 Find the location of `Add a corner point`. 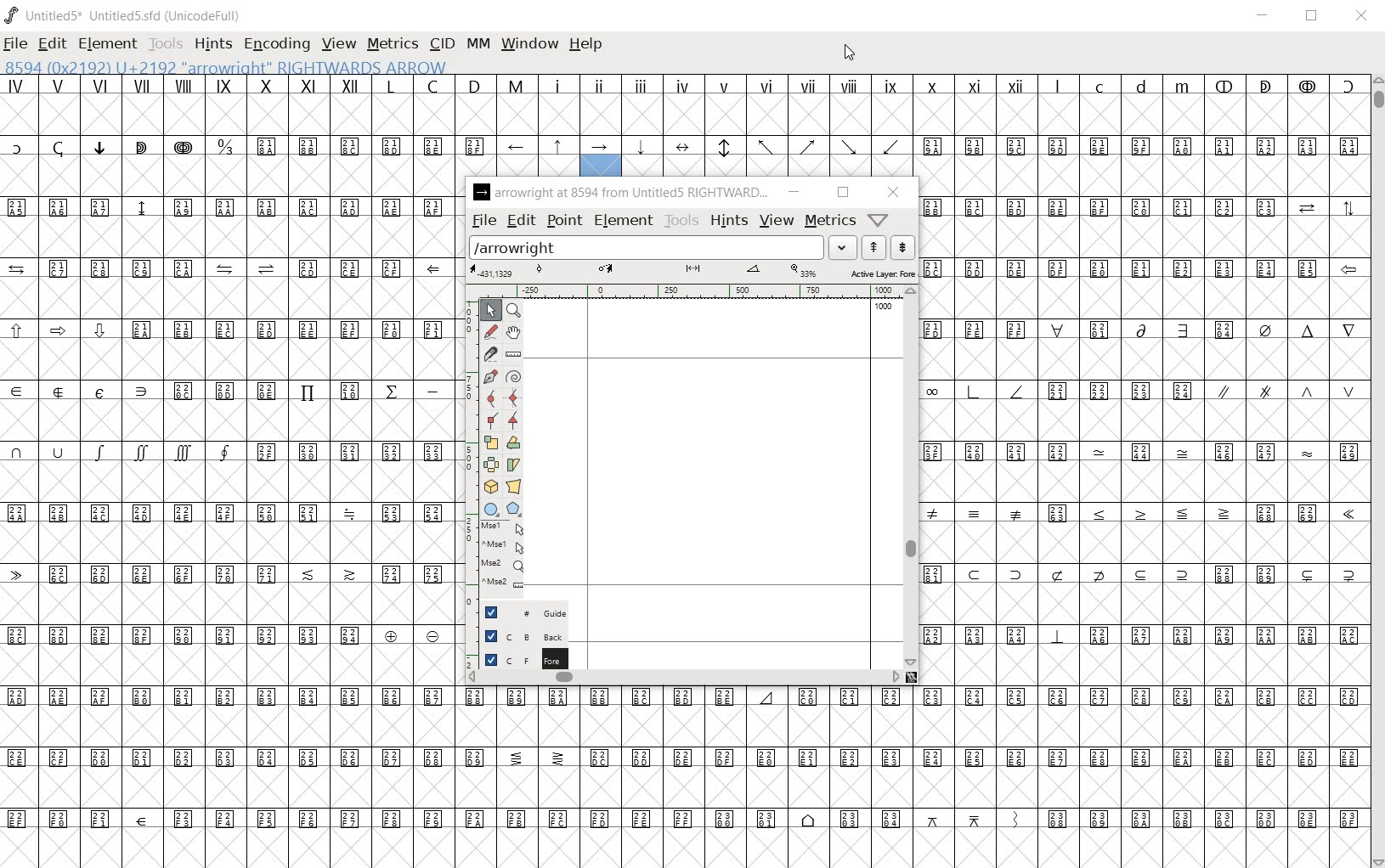

Add a corner point is located at coordinates (491, 420).